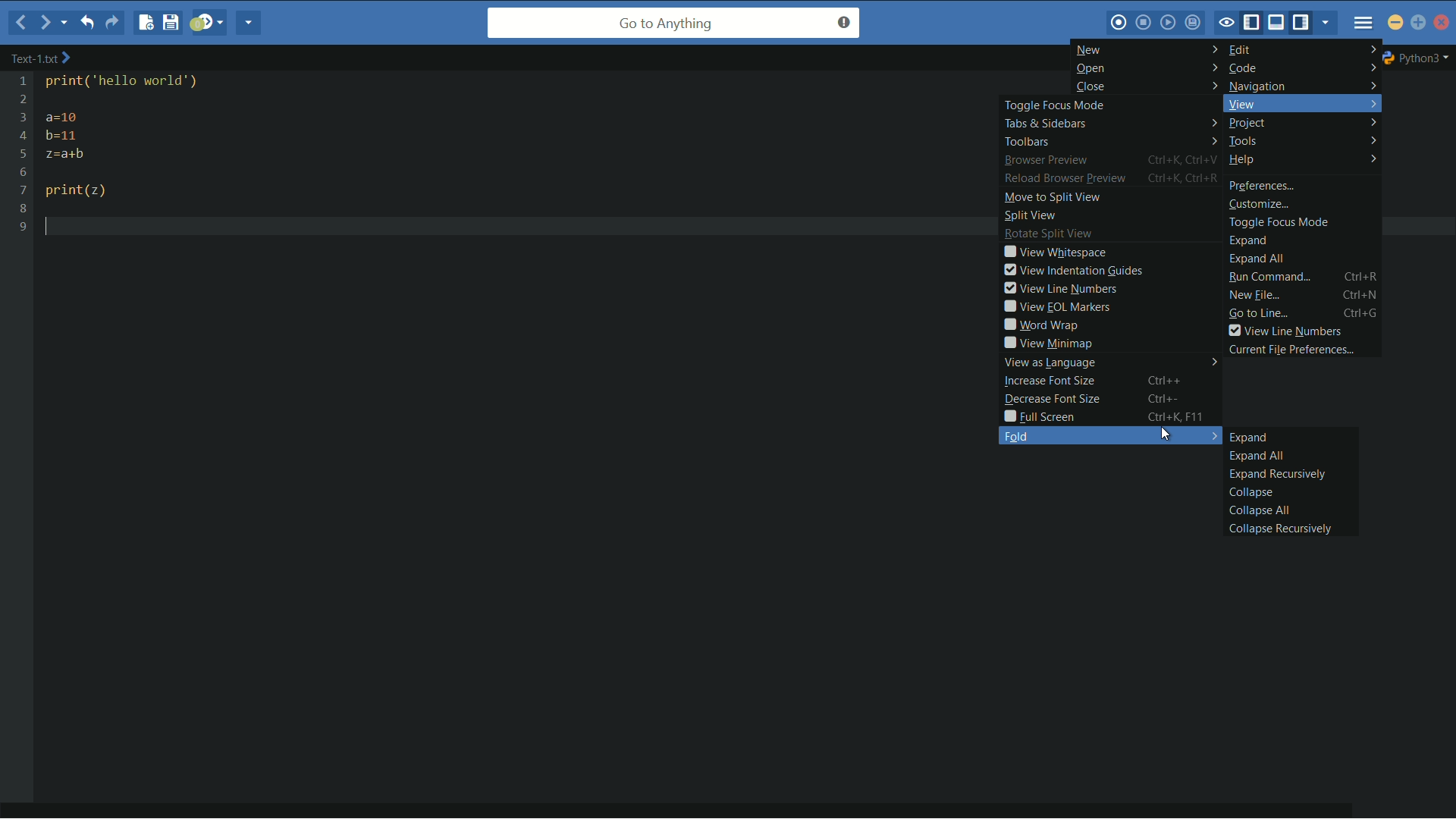 The height and width of the screenshot is (819, 1456). What do you see at coordinates (148, 139) in the screenshot?
I see `print( ‘hello world")
a=10

b=11

z=a+b

print(z)` at bounding box center [148, 139].